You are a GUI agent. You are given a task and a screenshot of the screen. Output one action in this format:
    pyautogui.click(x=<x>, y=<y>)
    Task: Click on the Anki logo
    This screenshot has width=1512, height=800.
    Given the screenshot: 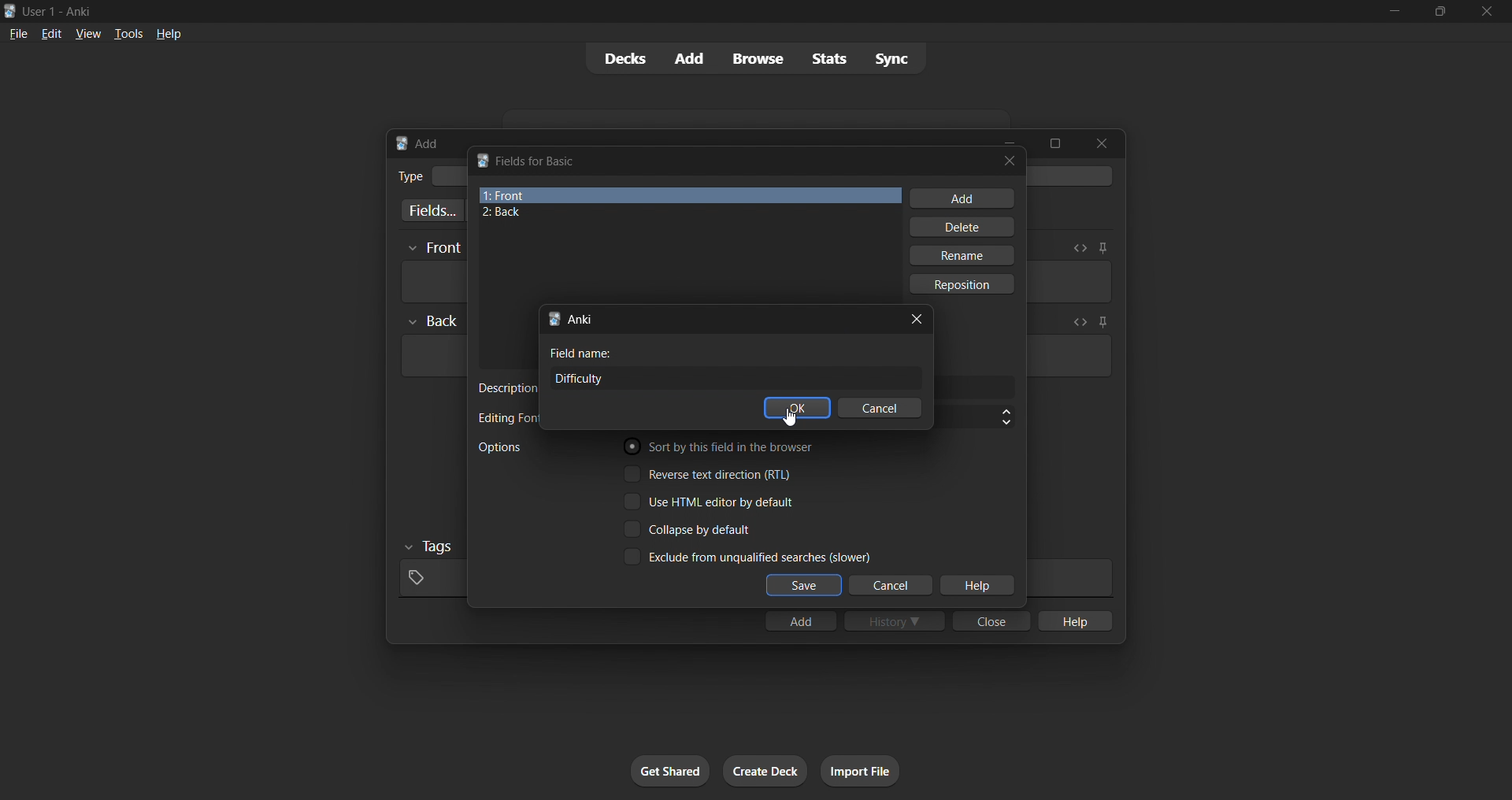 What is the action you would take?
    pyautogui.click(x=482, y=160)
    